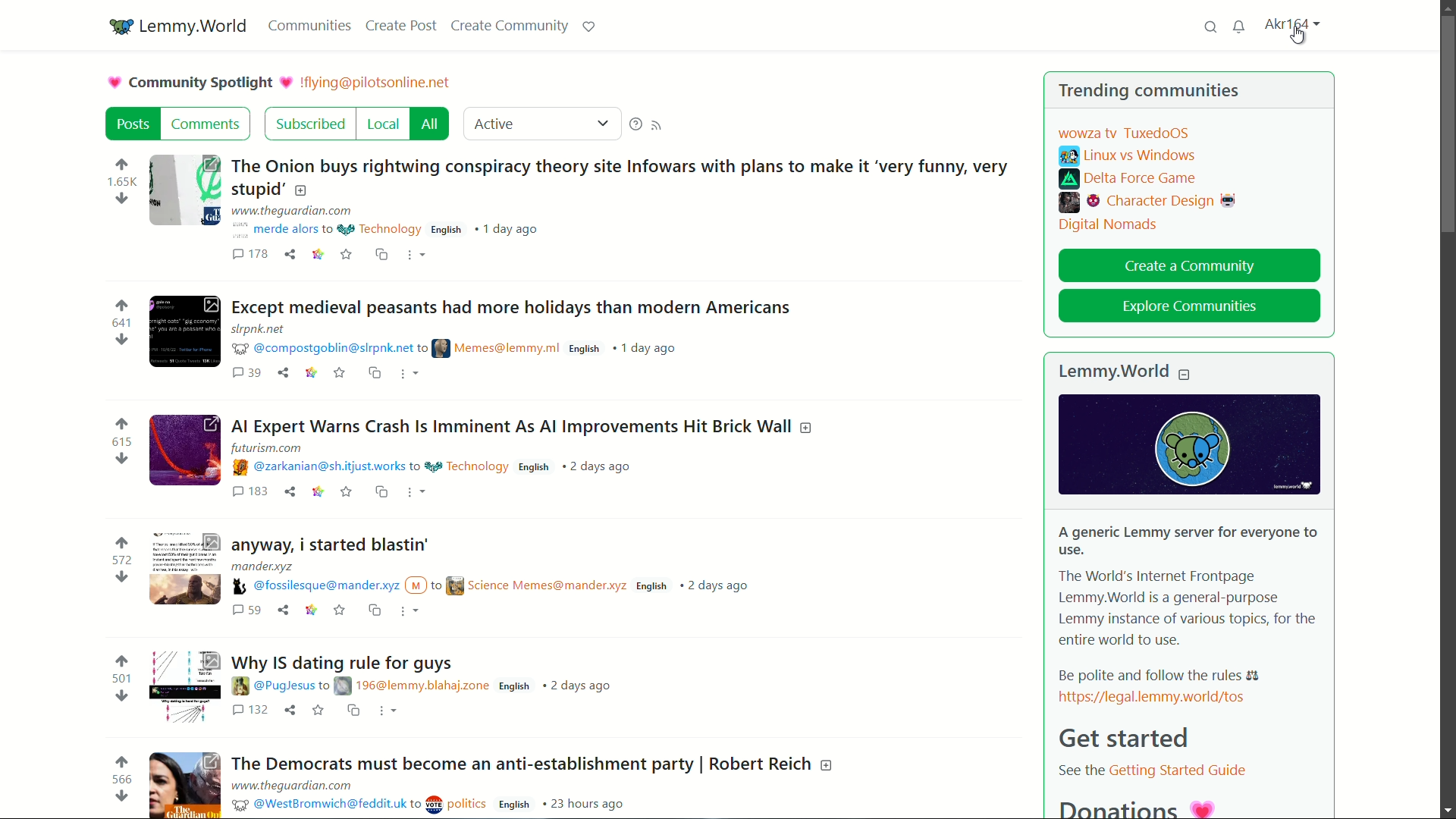  I want to click on comments, so click(250, 253).